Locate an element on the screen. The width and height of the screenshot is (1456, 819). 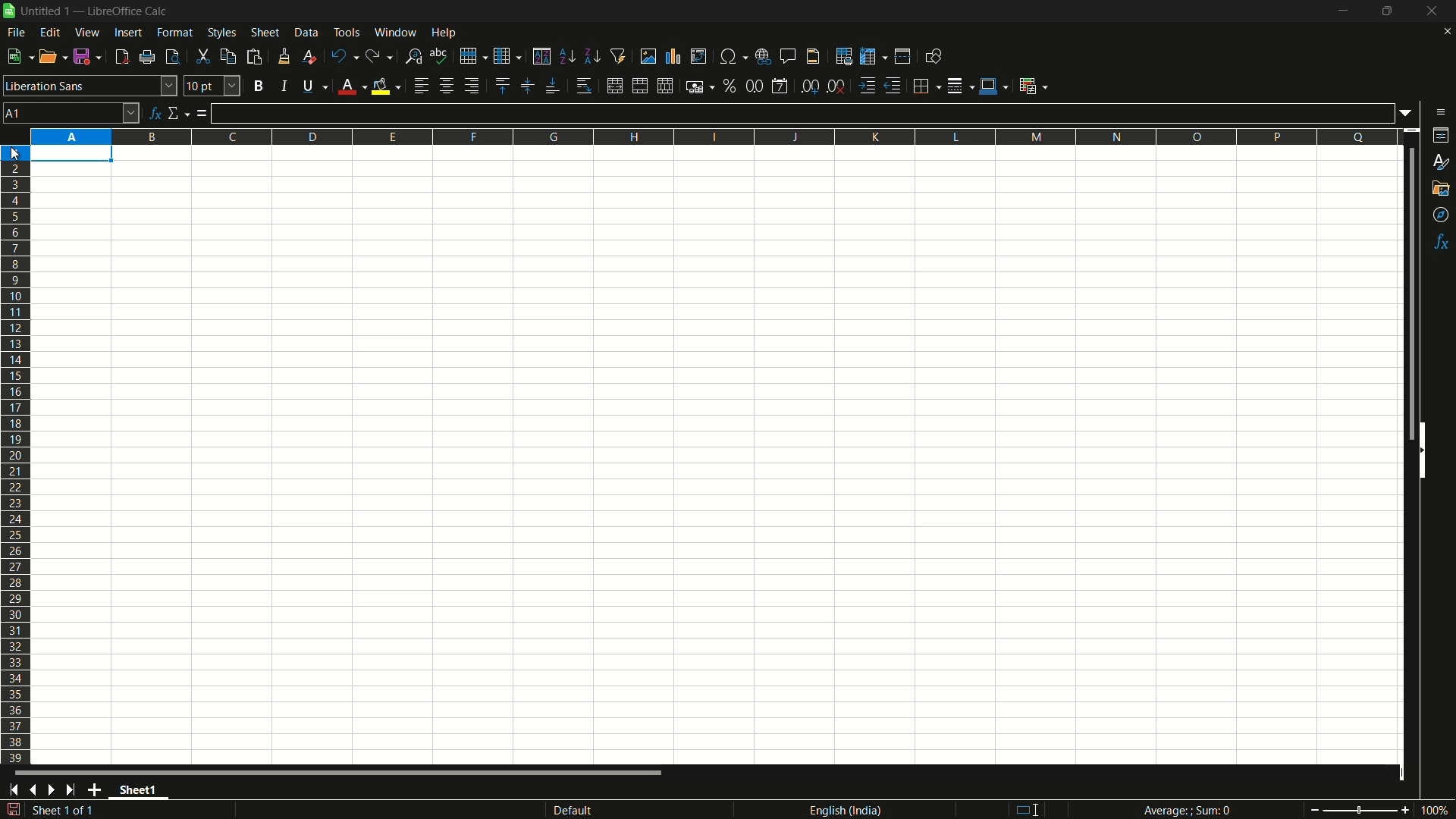
sidebar settings is located at coordinates (1440, 112).